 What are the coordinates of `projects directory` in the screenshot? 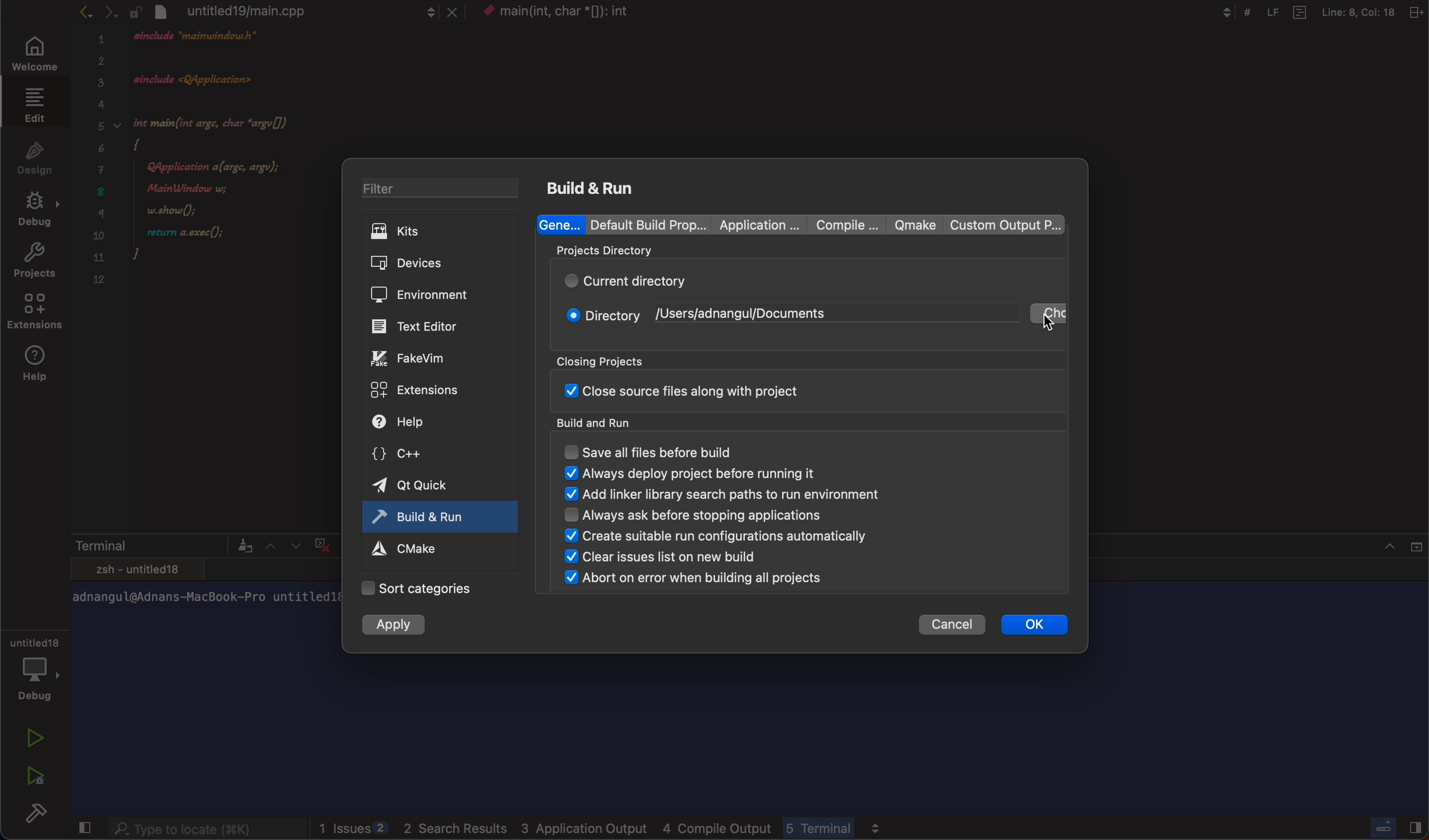 It's located at (603, 252).